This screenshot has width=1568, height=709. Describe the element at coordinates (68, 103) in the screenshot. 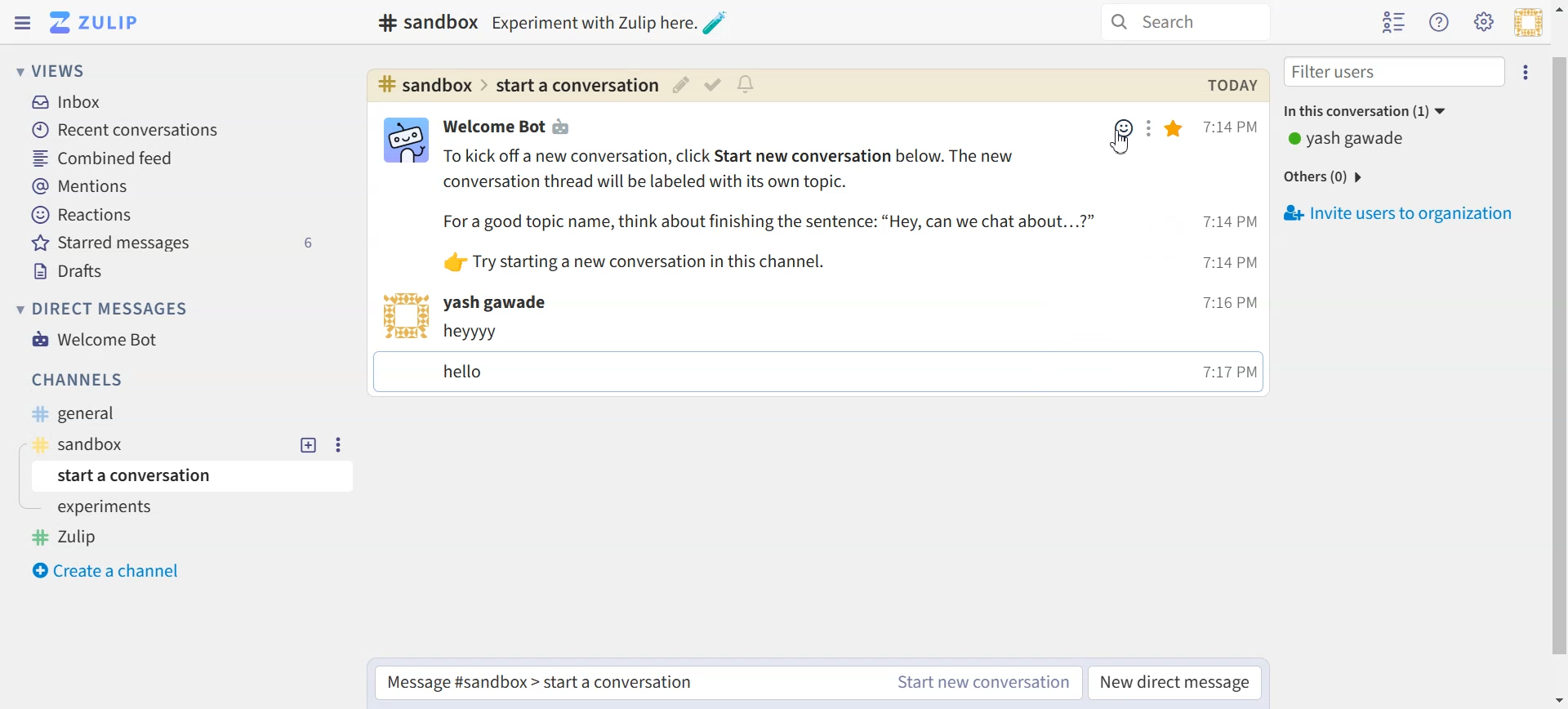

I see `Inbox` at that location.